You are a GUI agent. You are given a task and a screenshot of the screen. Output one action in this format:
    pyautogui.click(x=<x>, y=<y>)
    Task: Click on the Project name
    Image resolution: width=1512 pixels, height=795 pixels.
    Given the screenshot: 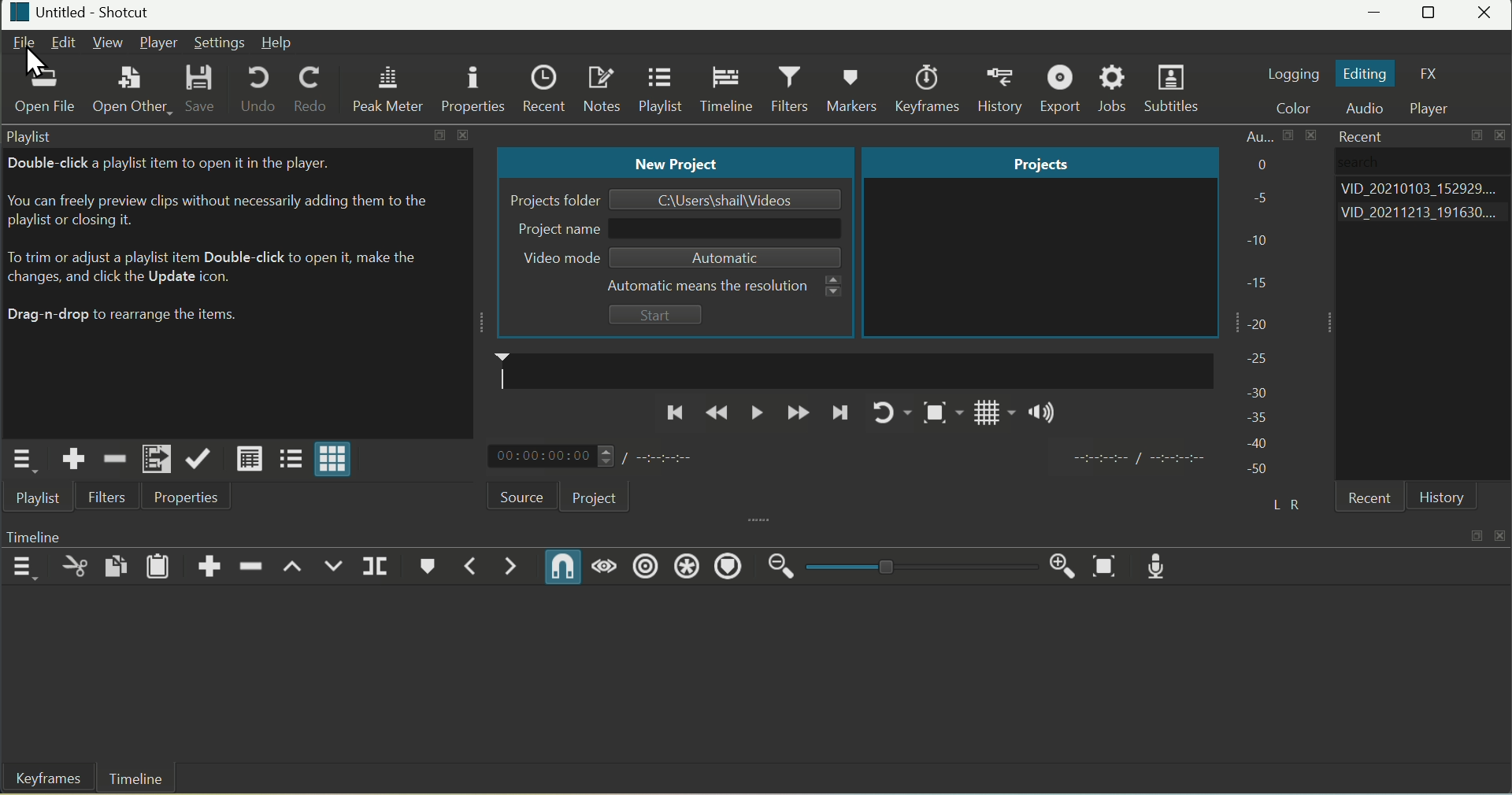 What is the action you would take?
    pyautogui.click(x=554, y=230)
    